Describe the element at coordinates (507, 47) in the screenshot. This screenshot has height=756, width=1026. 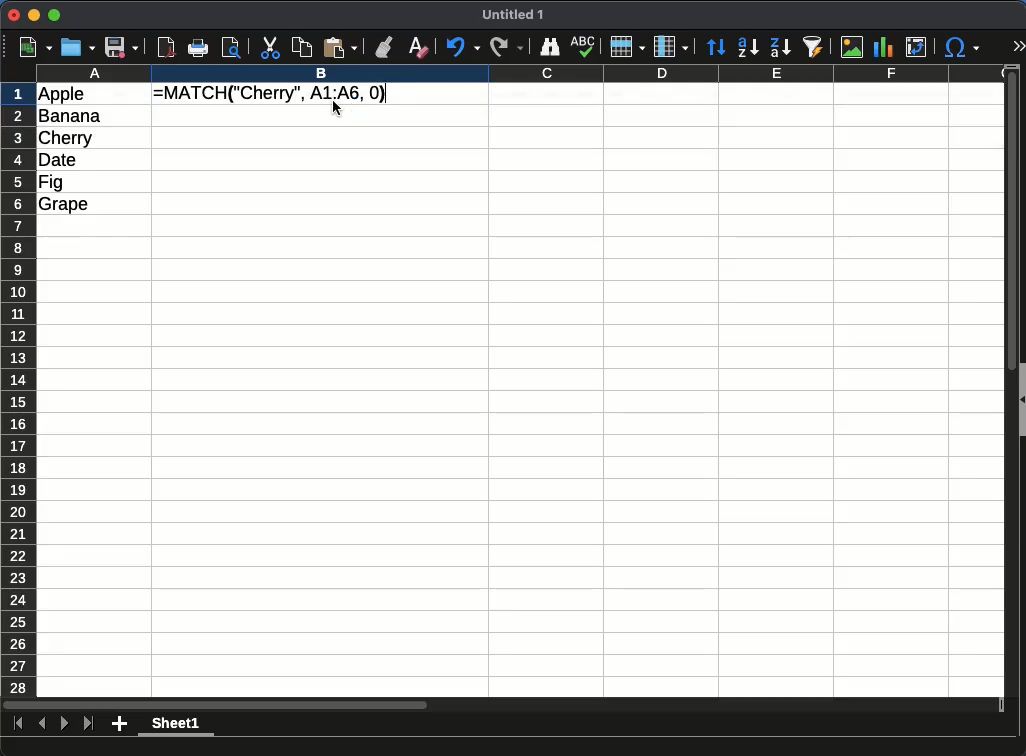
I see `redo` at that location.